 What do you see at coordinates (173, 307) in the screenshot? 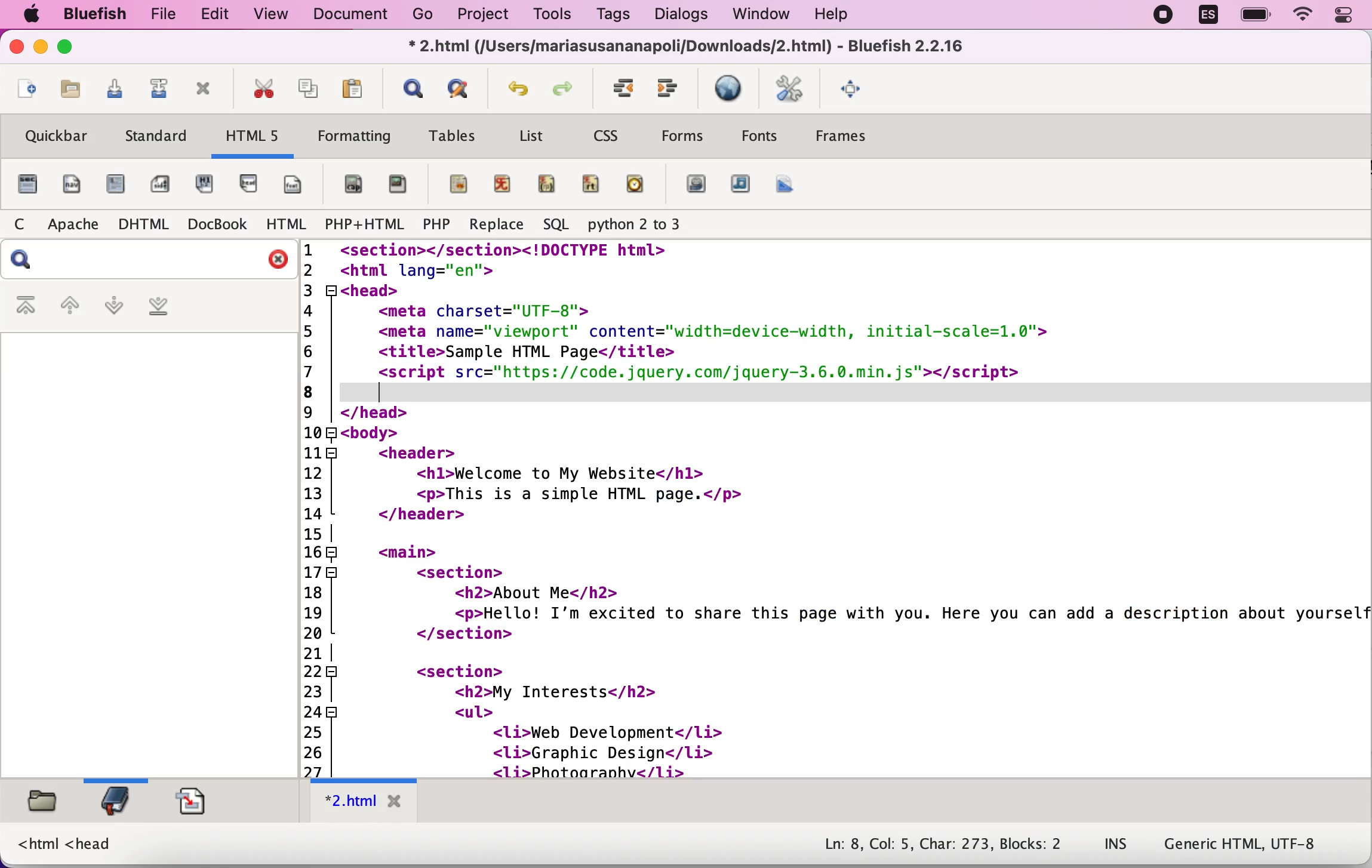
I see `last bookmark` at bounding box center [173, 307].